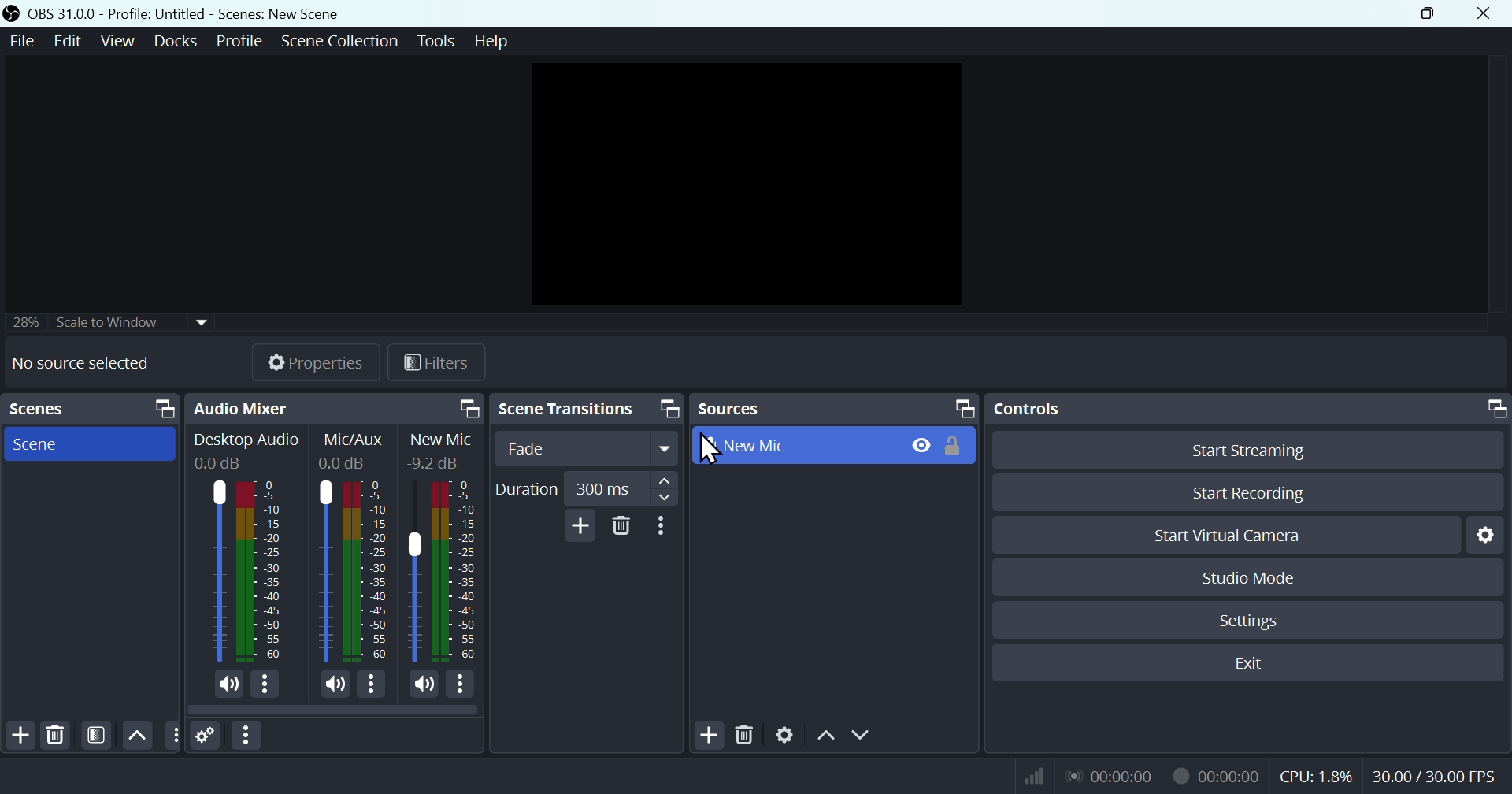 The height and width of the screenshot is (794, 1512). I want to click on Settings, so click(1491, 540).